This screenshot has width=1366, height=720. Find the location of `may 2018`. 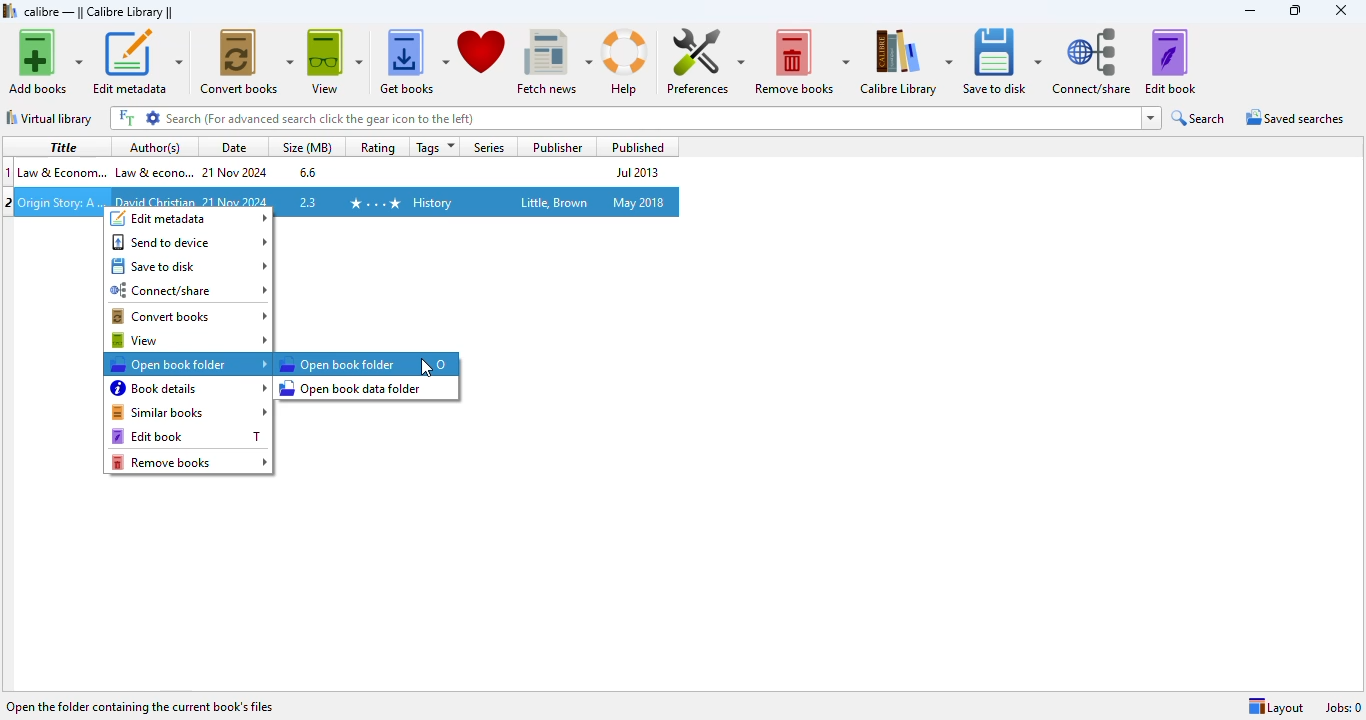

may 2018 is located at coordinates (638, 202).